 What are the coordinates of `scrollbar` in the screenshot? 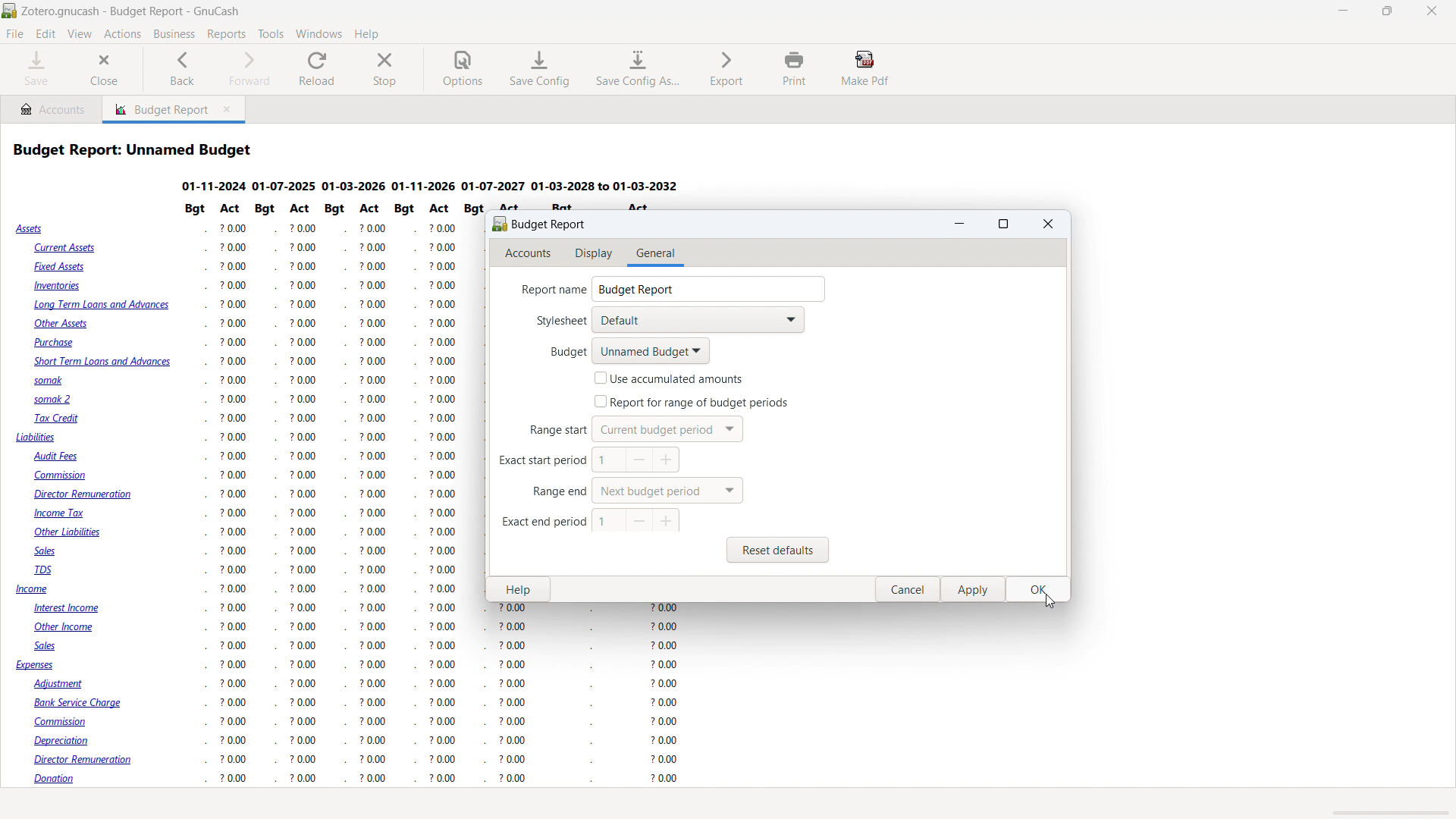 It's located at (1055, 384).